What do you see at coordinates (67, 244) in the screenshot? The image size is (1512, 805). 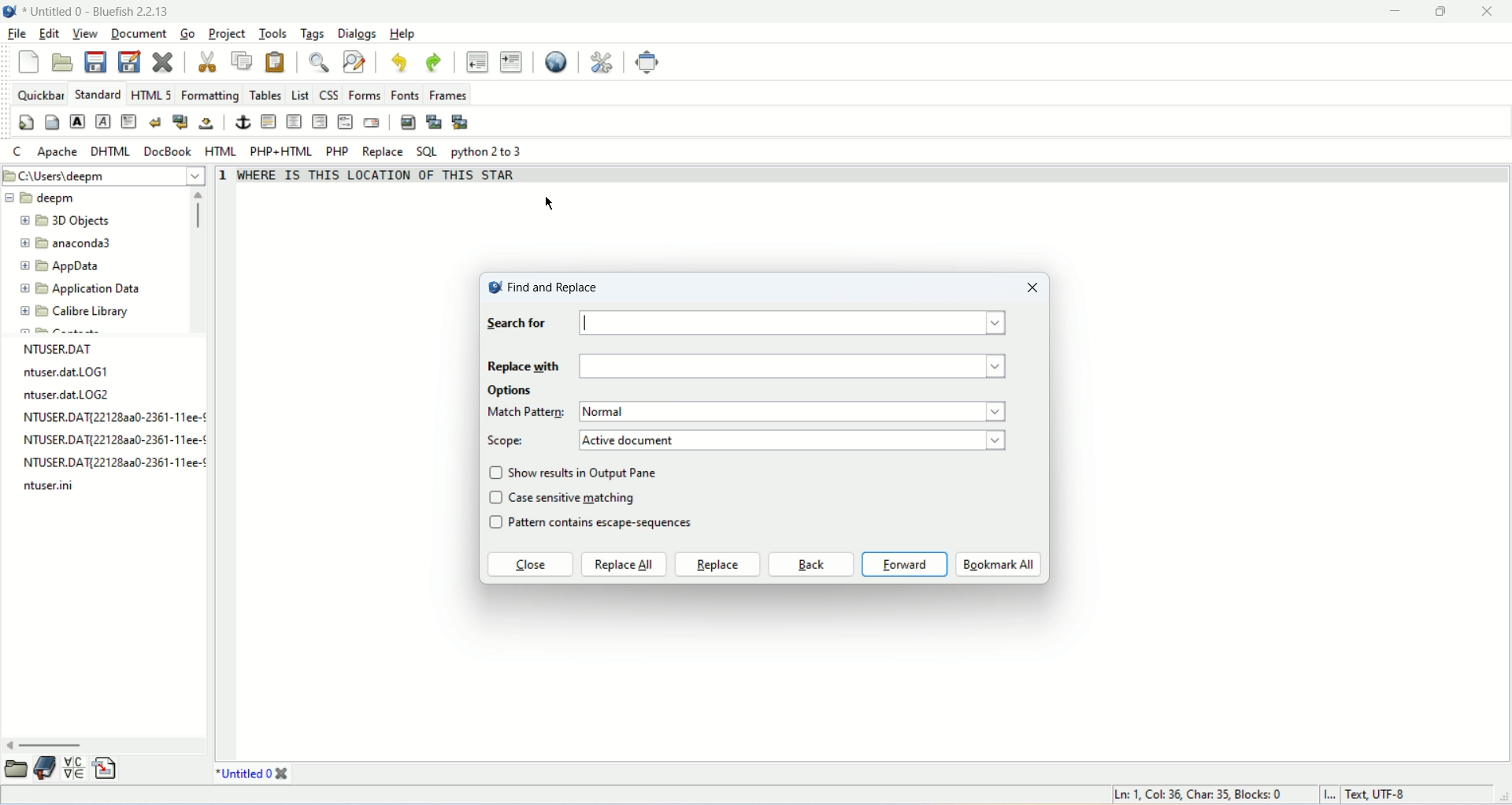 I see `anaconda3` at bounding box center [67, 244].